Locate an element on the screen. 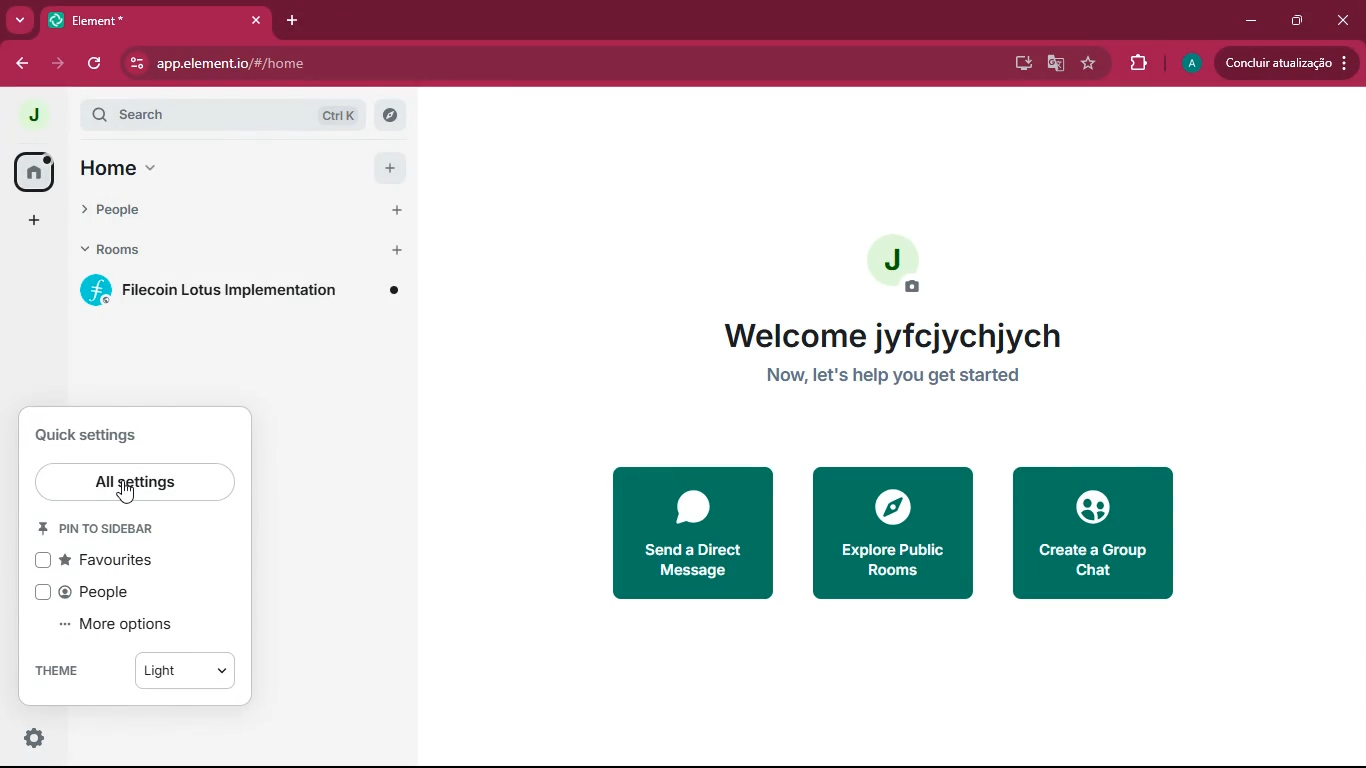 This screenshot has width=1366, height=768. profile picture is located at coordinates (897, 265).